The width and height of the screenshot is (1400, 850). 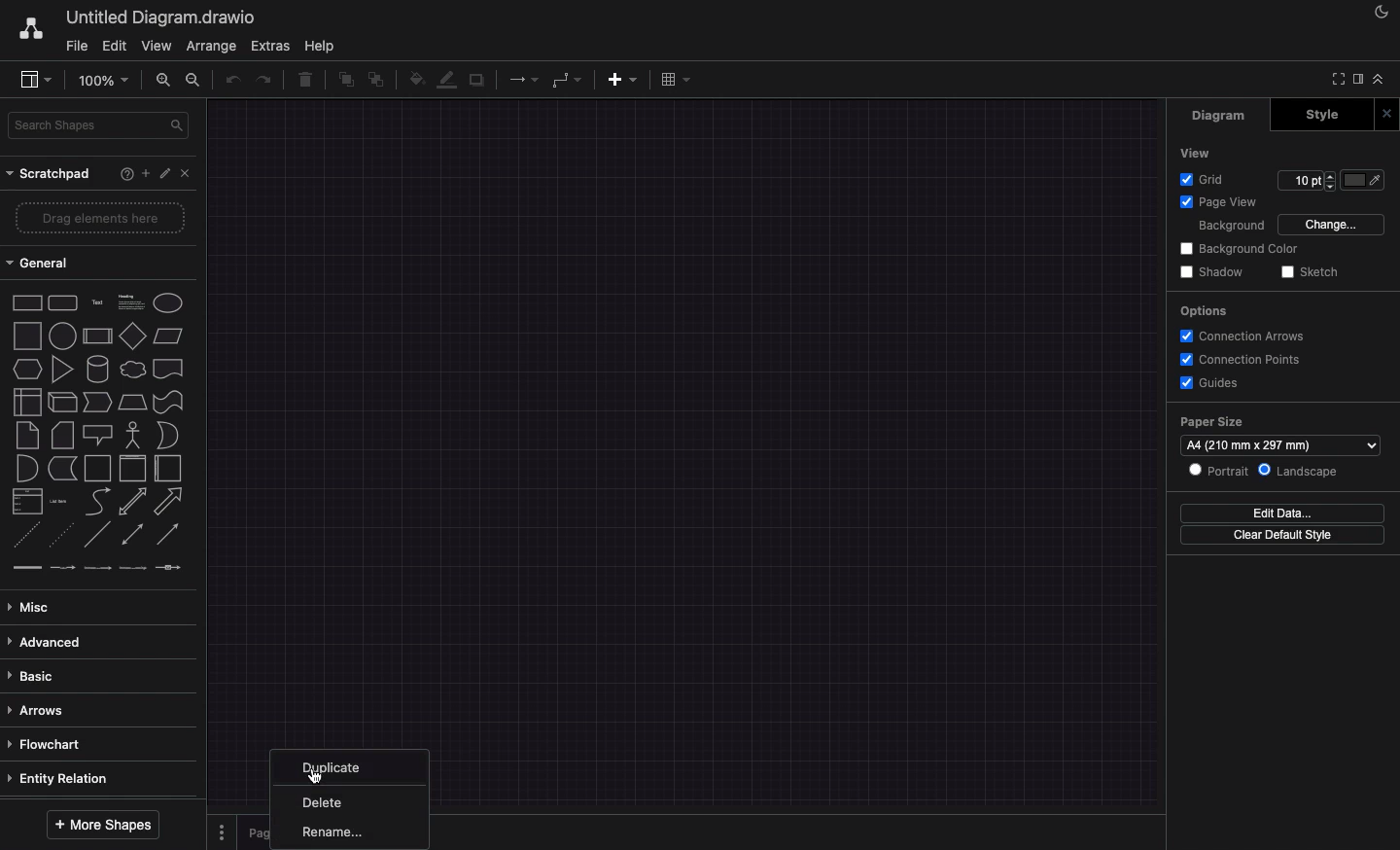 I want to click on draw.io, so click(x=30, y=27).